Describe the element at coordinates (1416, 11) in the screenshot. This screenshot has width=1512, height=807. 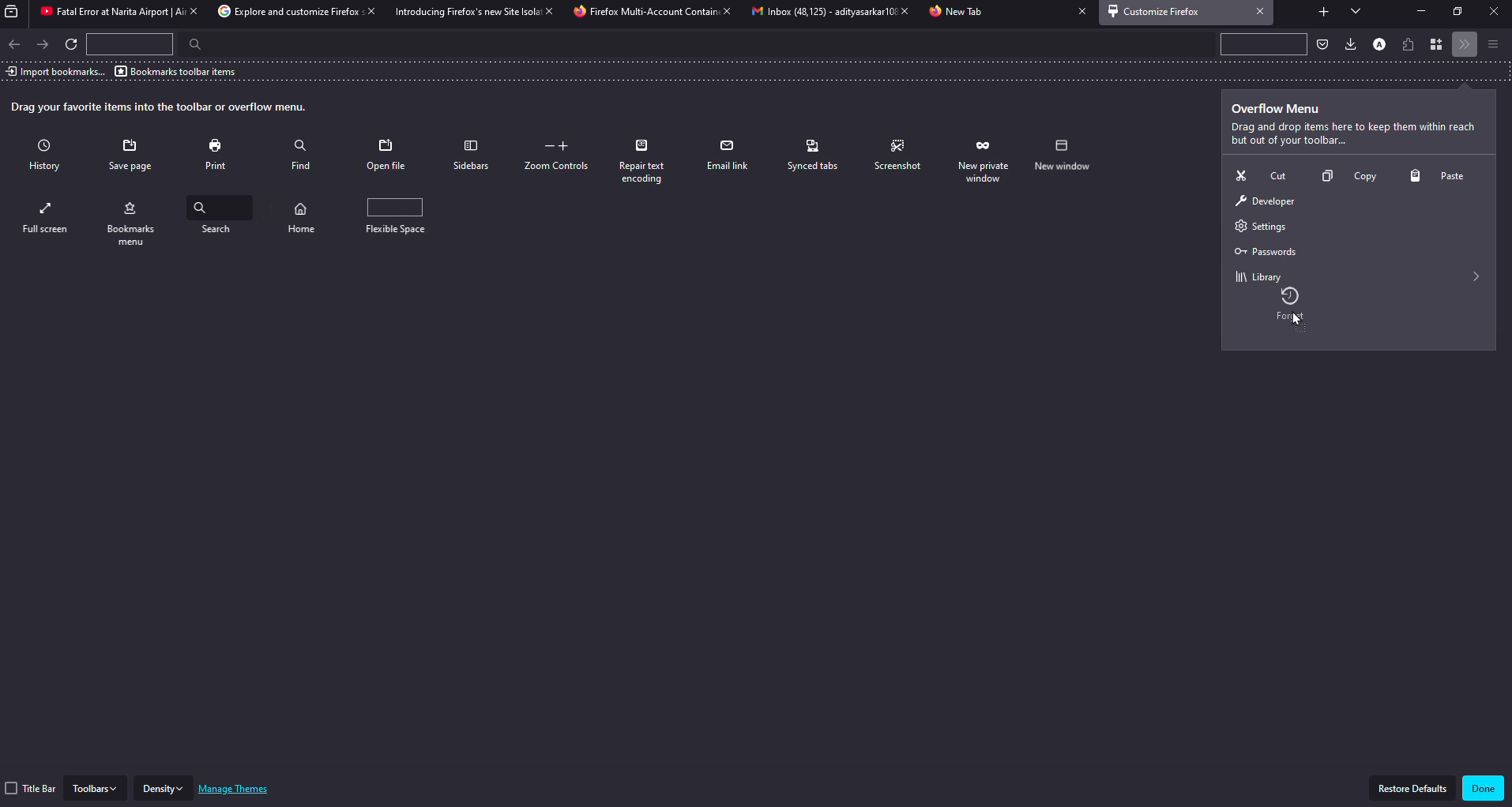
I see `minimize` at that location.